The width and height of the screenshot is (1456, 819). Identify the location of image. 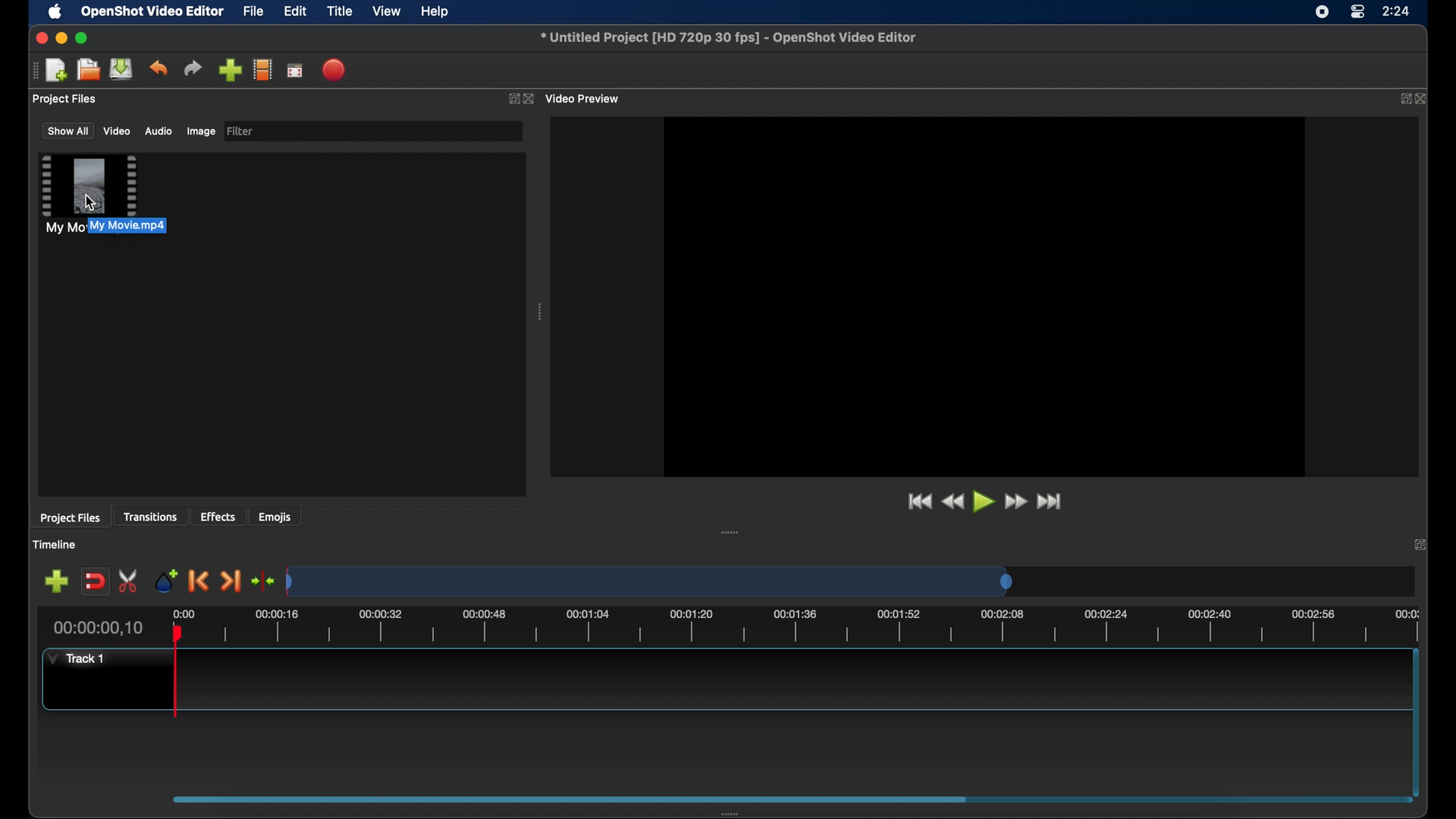
(200, 131).